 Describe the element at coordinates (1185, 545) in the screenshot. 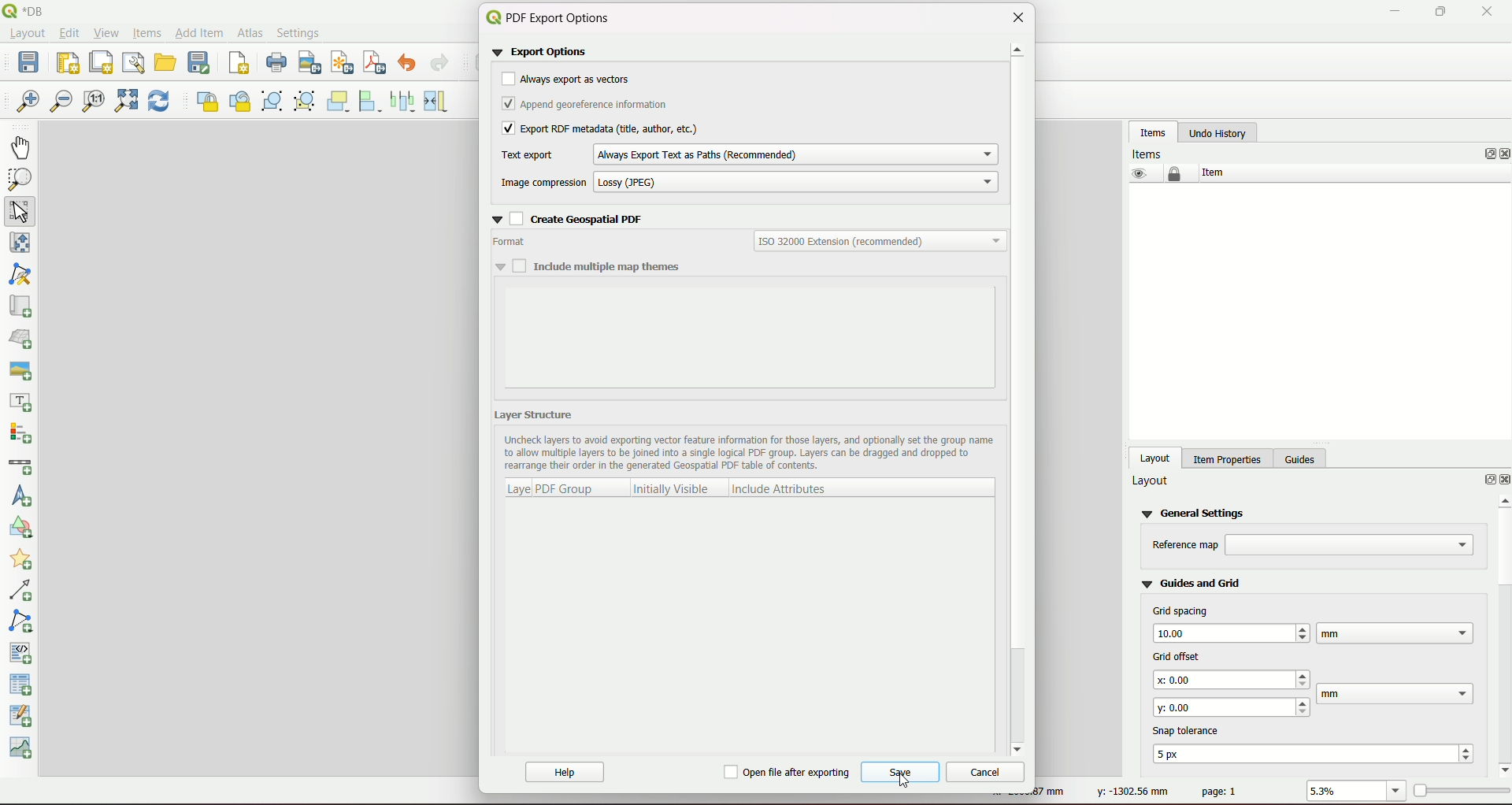

I see `Reference map` at that location.